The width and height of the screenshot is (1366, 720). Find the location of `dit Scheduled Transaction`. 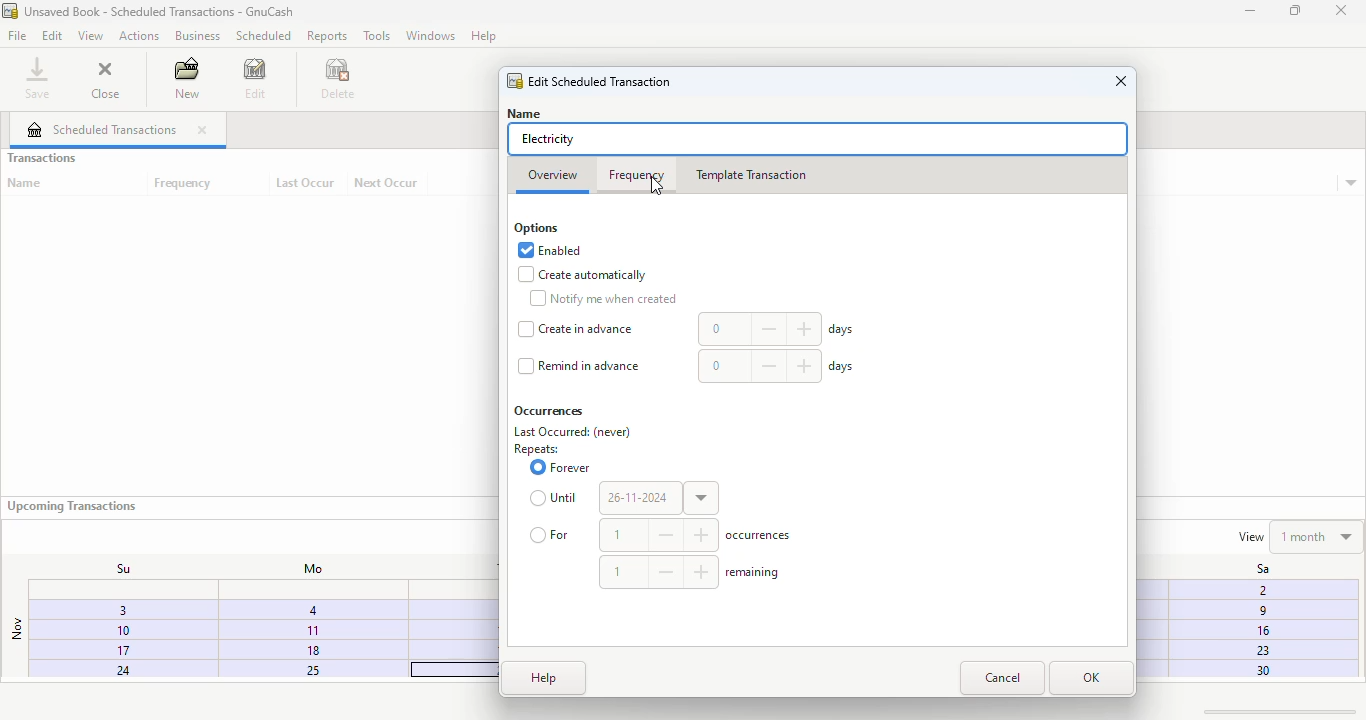

dit Scheduled Transaction is located at coordinates (589, 80).